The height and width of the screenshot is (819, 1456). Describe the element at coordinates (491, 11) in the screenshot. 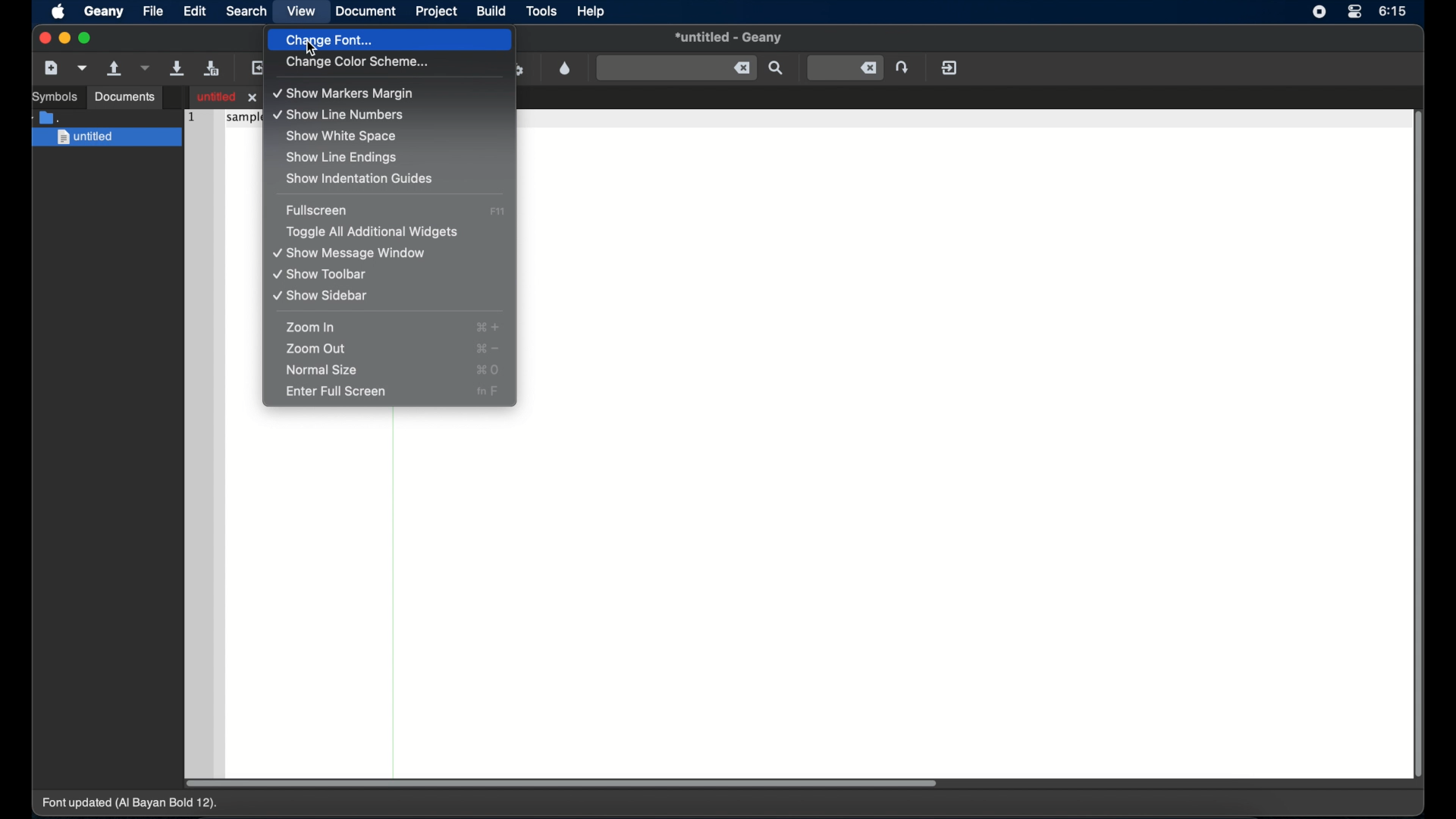

I see `build` at that location.